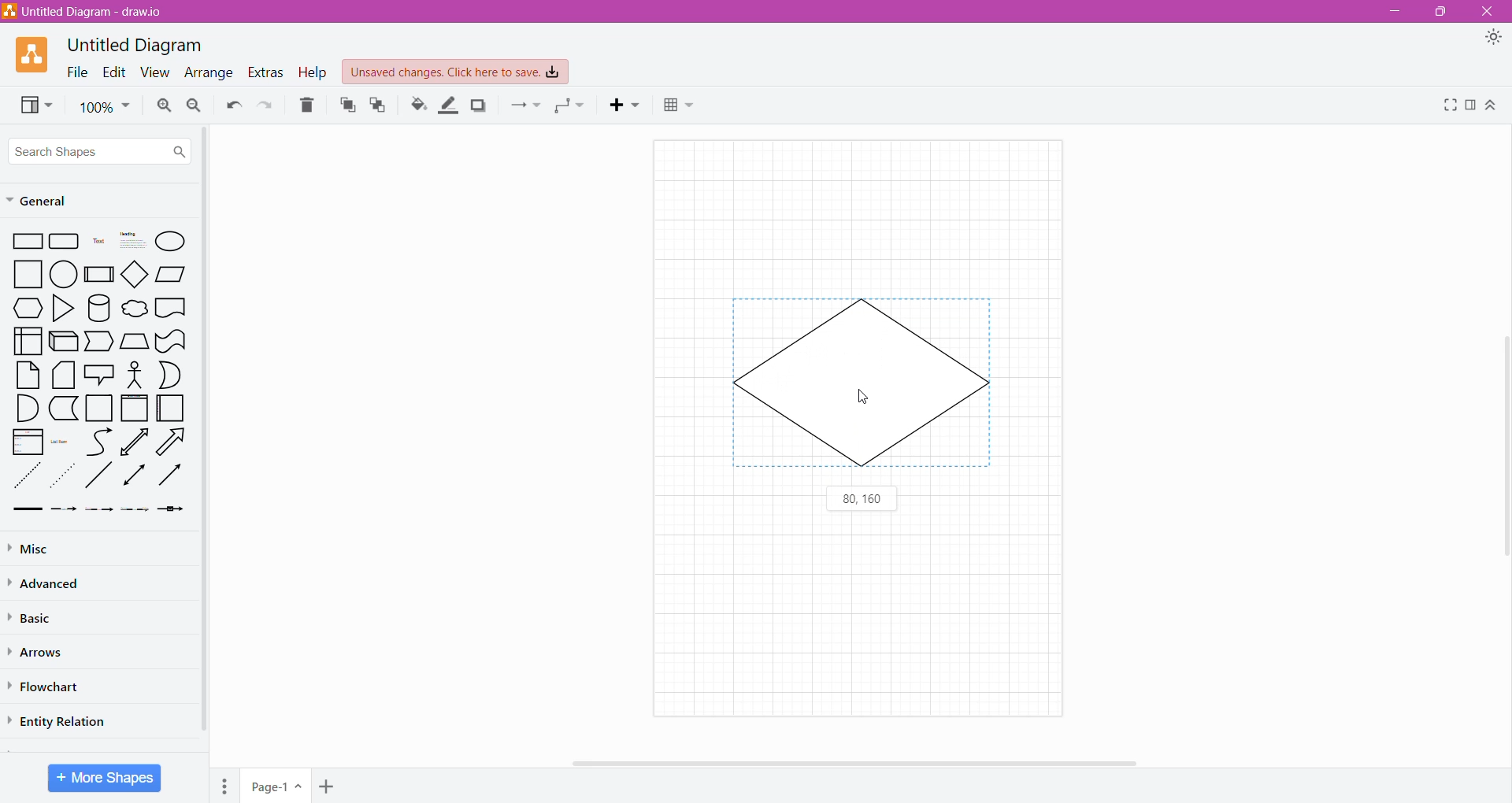 Image resolution: width=1512 pixels, height=803 pixels. I want to click on General, so click(46, 202).